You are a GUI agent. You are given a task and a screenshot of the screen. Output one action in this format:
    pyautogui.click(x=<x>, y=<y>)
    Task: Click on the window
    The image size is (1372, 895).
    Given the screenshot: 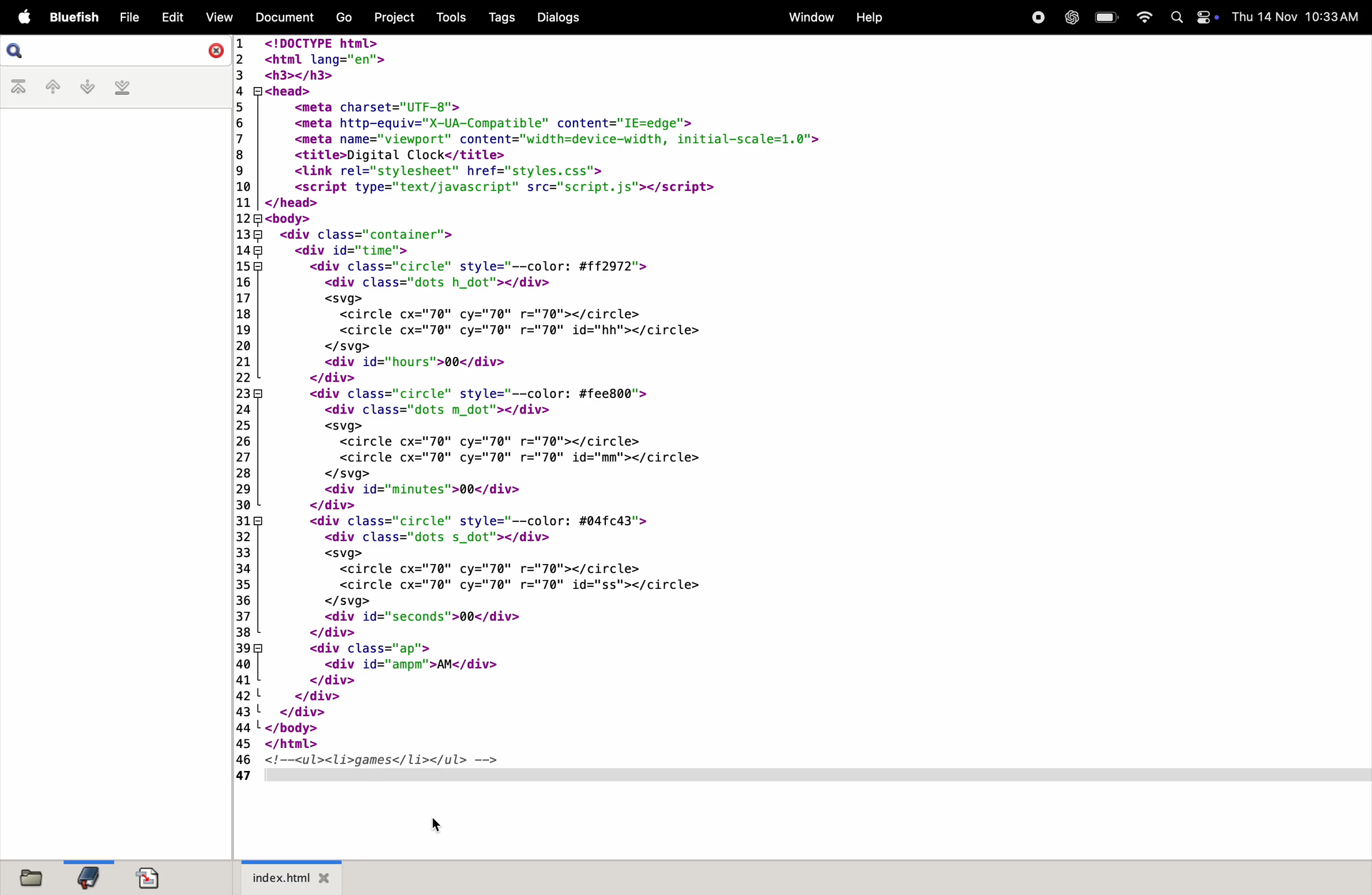 What is the action you would take?
    pyautogui.click(x=808, y=18)
    